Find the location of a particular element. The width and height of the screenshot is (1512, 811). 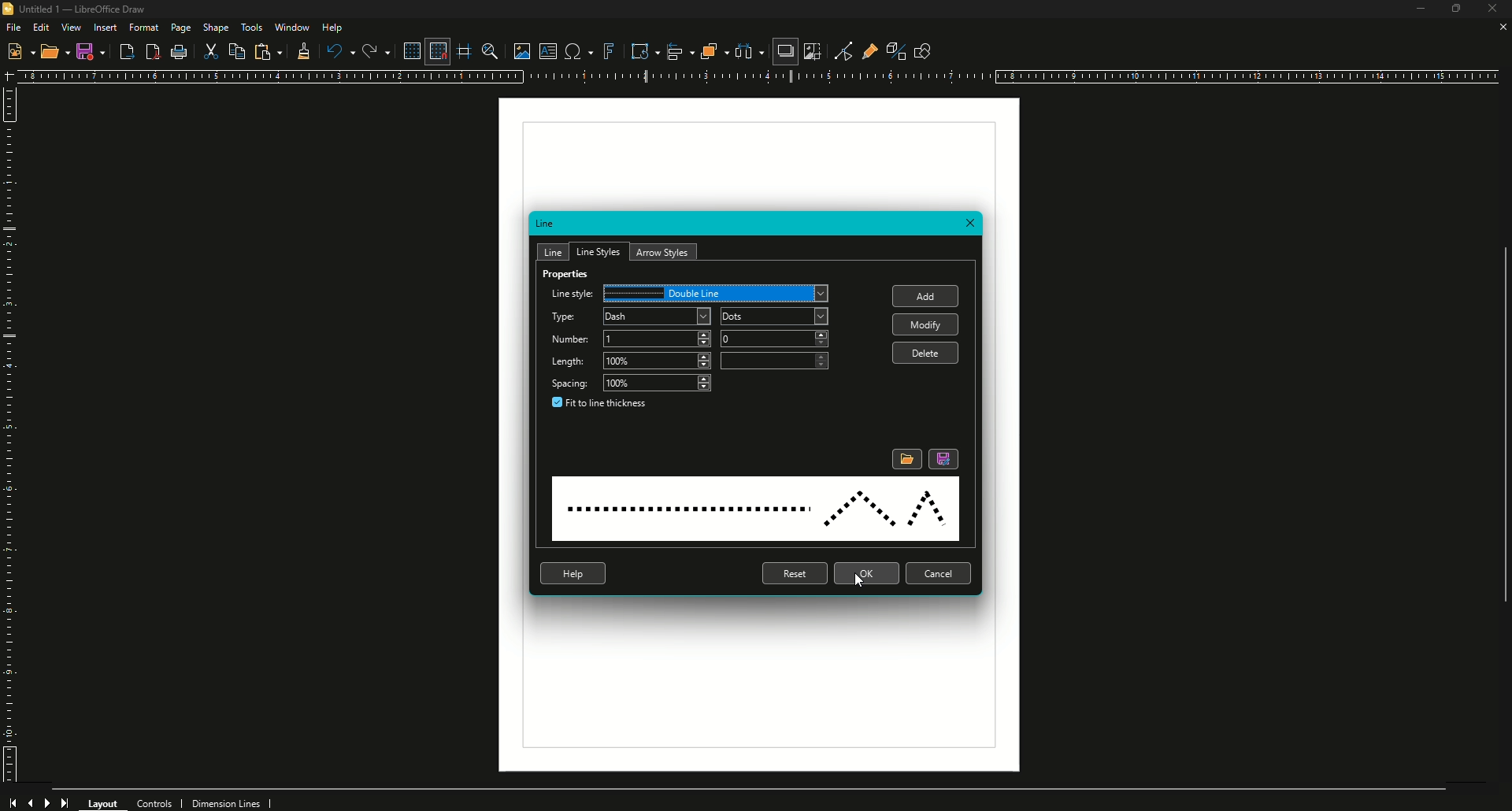

Transformations is located at coordinates (638, 50).